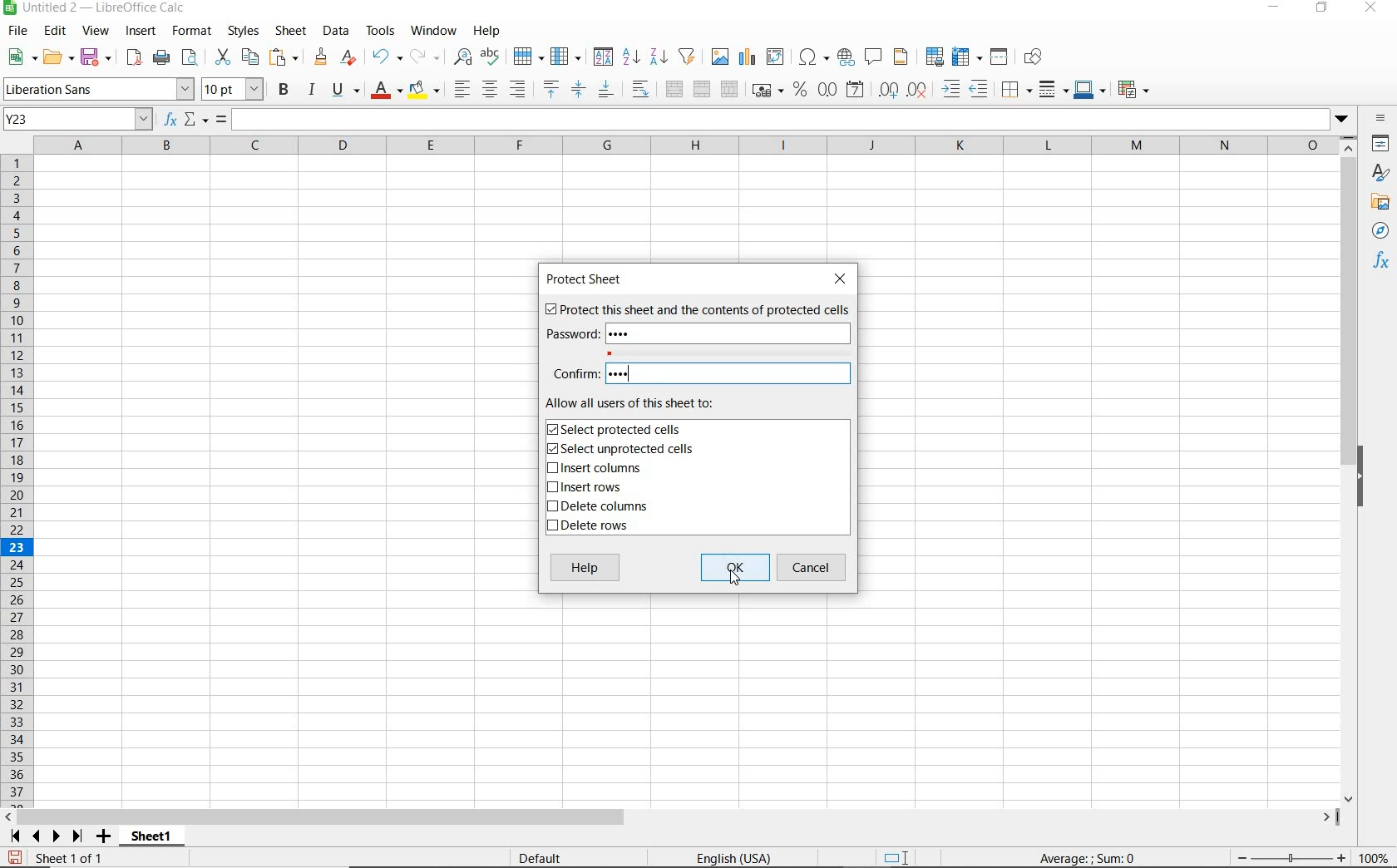 The image size is (1397, 868). What do you see at coordinates (1283, 856) in the screenshot?
I see `zoom in or zoom out` at bounding box center [1283, 856].